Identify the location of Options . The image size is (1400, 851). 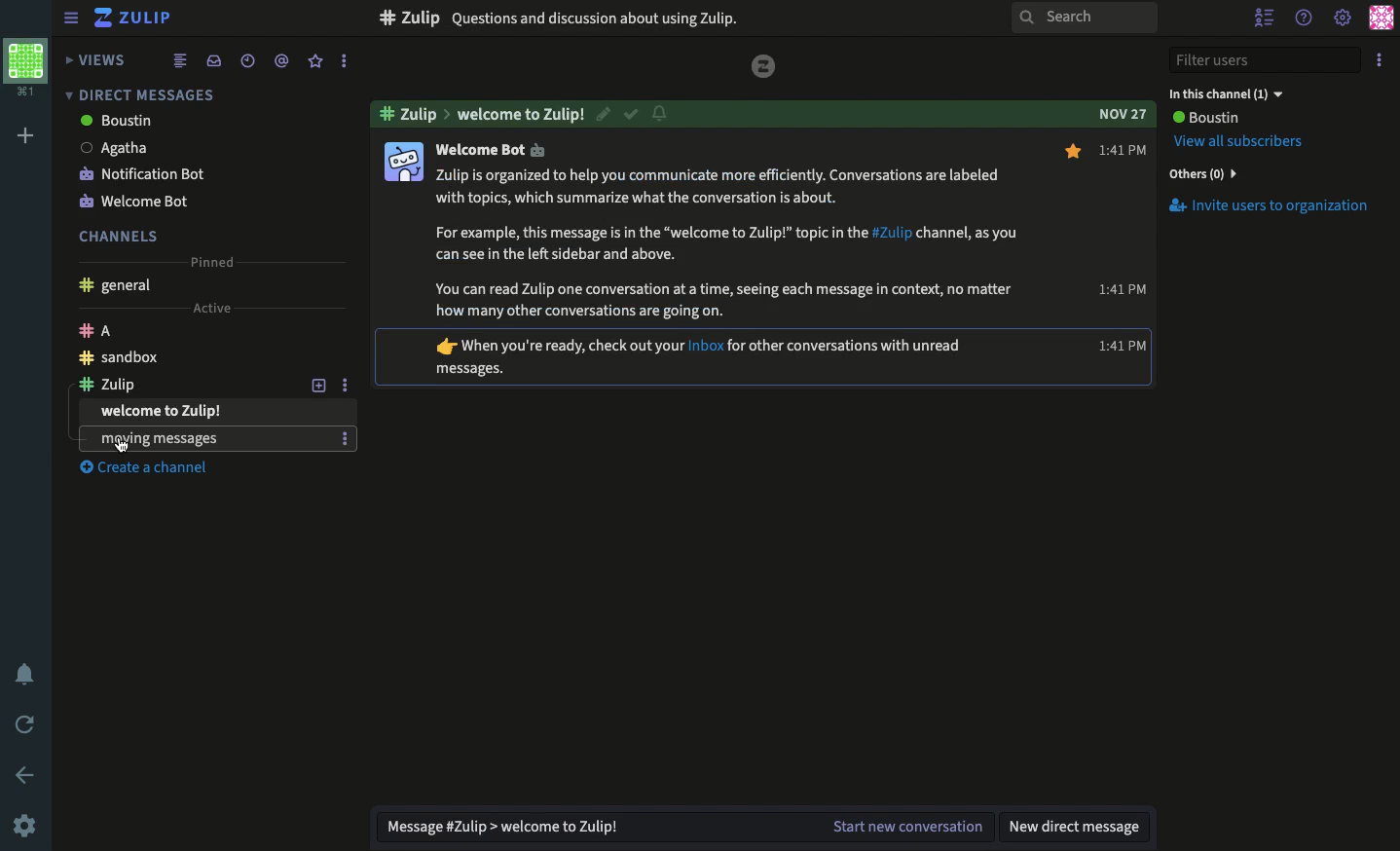
(1382, 56).